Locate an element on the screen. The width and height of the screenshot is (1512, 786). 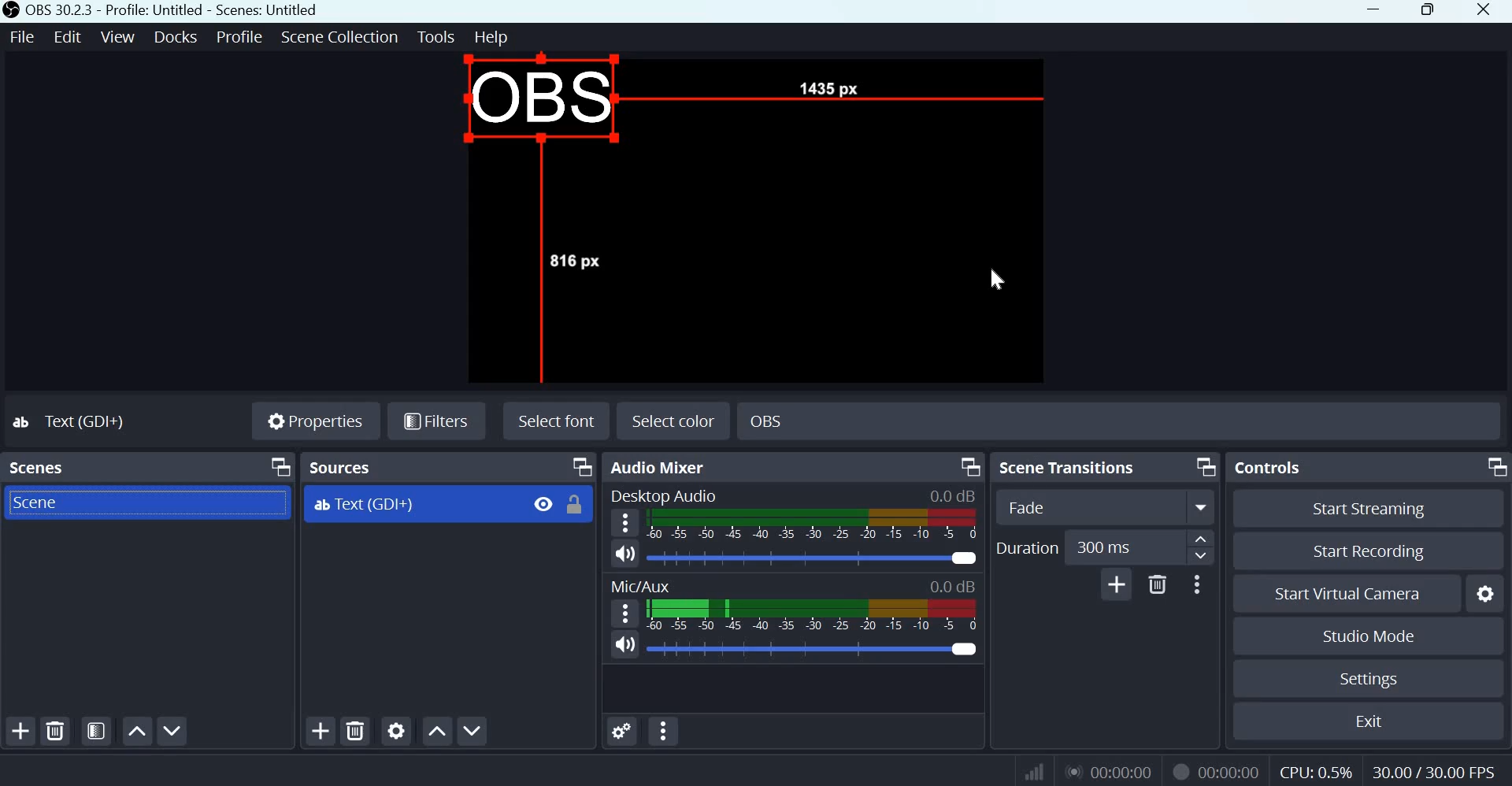
00:00:00 is located at coordinates (1229, 773).